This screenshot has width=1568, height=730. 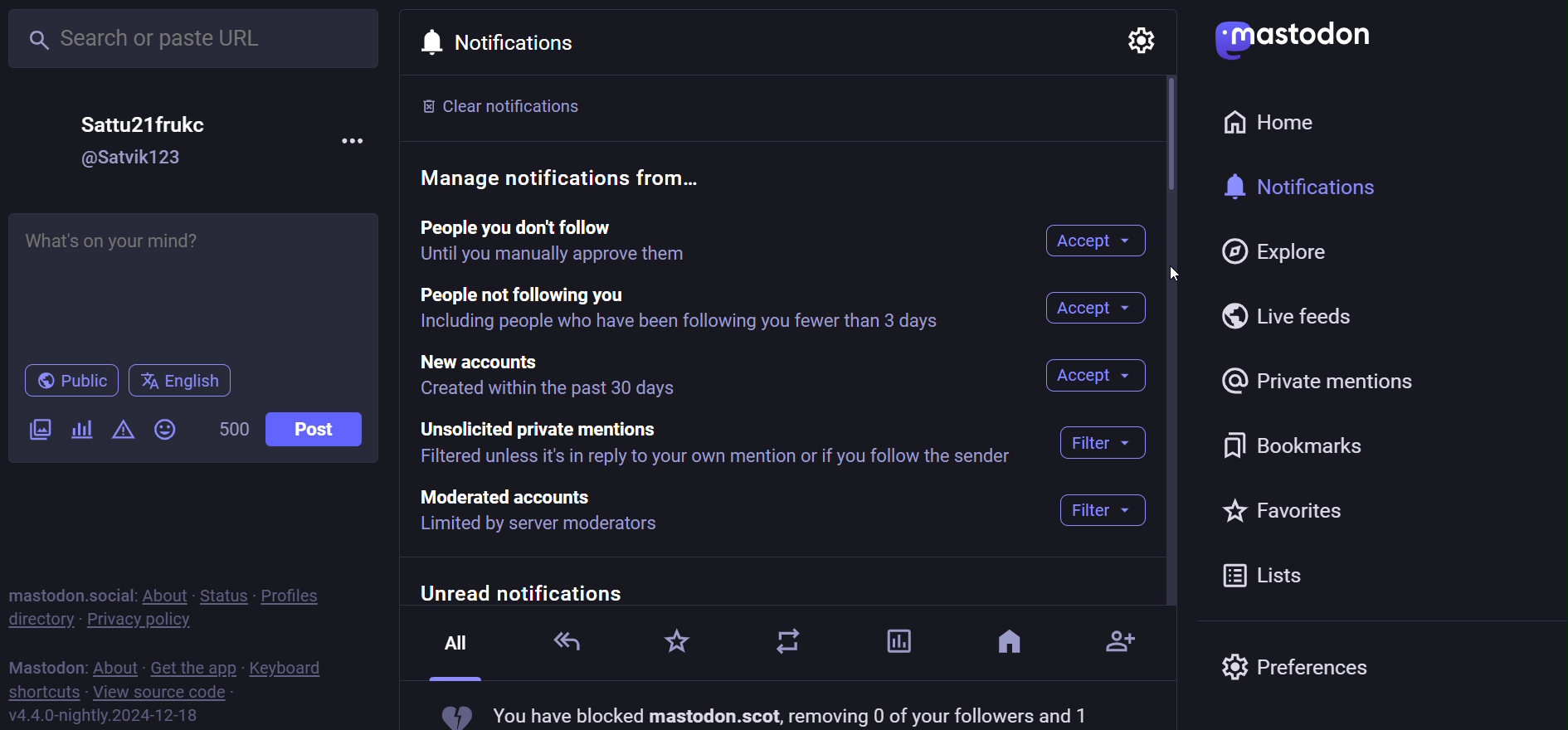 What do you see at coordinates (774, 591) in the screenshot?
I see `unread notifications` at bounding box center [774, 591].